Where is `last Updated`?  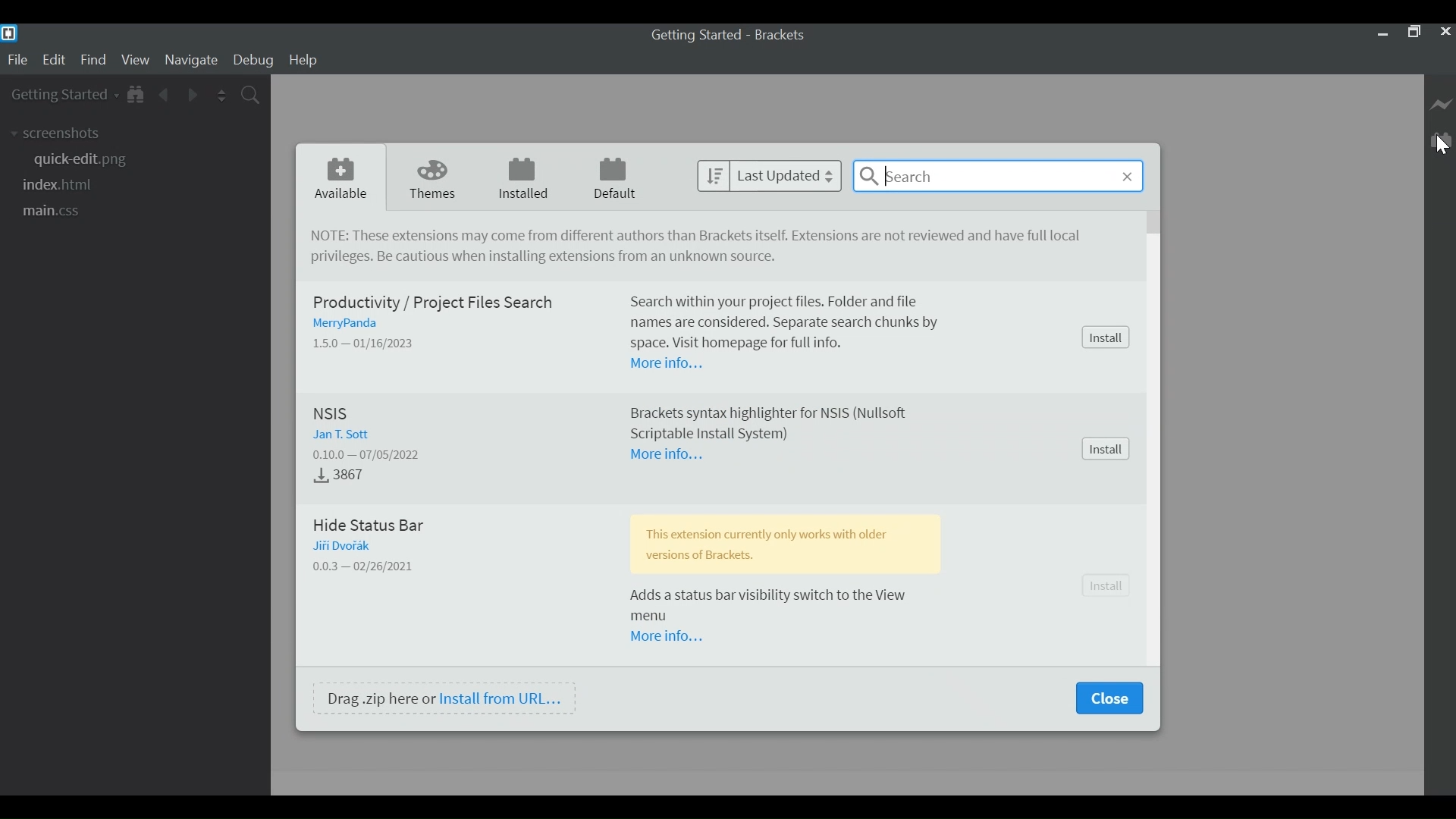 last Updated is located at coordinates (770, 175).